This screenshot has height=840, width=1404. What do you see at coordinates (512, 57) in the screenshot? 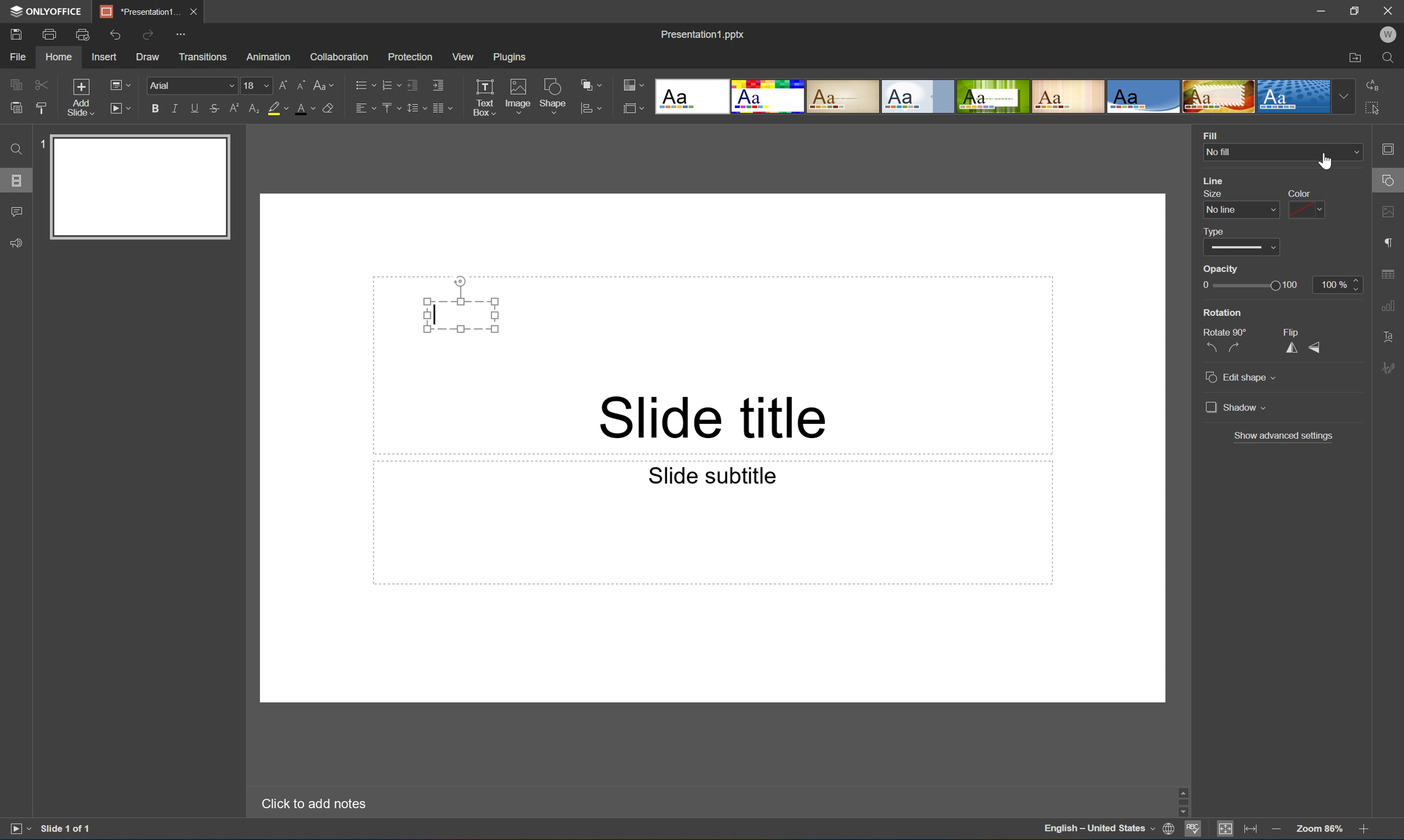
I see `Plugins` at bounding box center [512, 57].